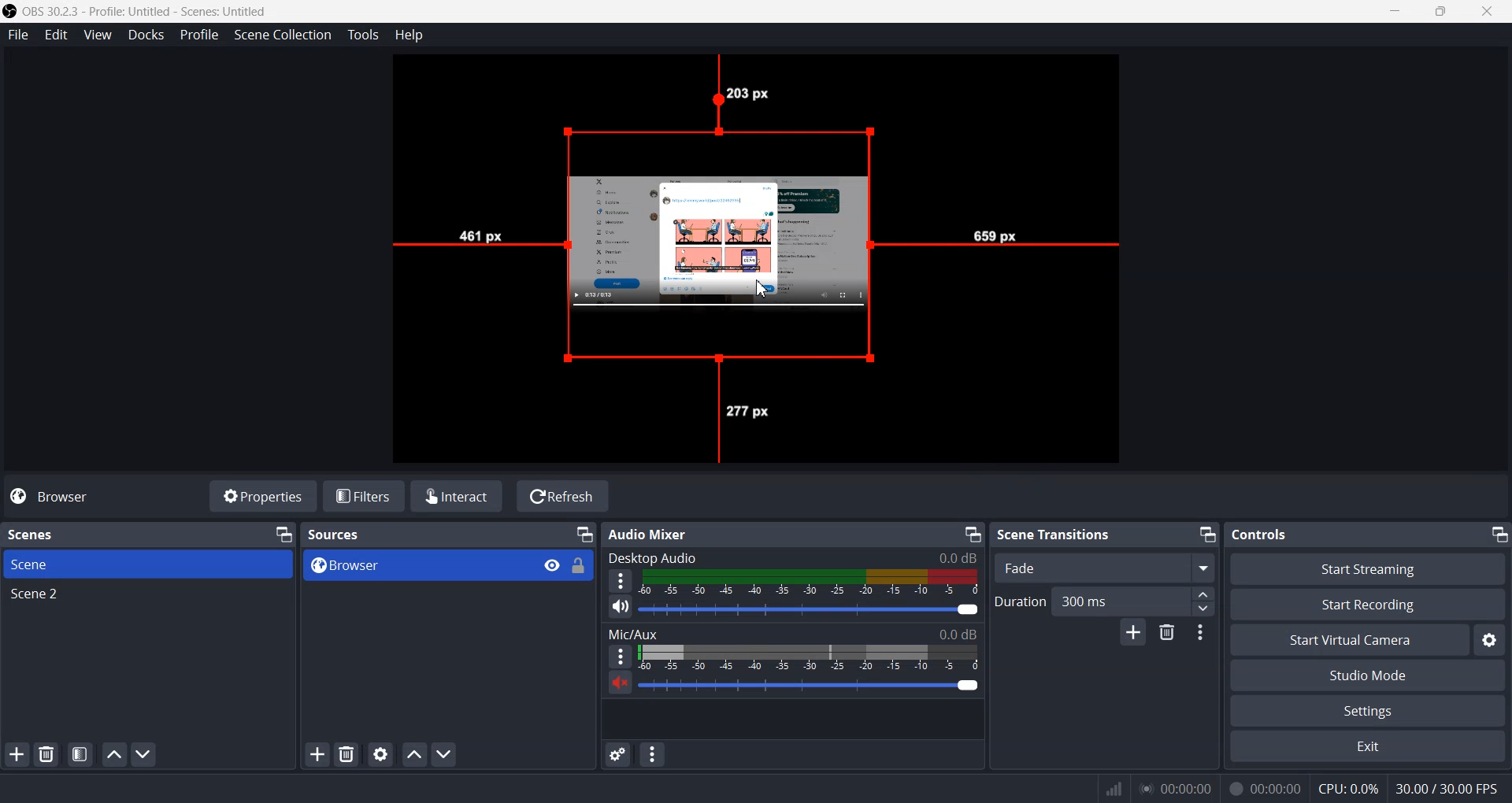 This screenshot has width=1512, height=803. I want to click on Browser, so click(54, 498).